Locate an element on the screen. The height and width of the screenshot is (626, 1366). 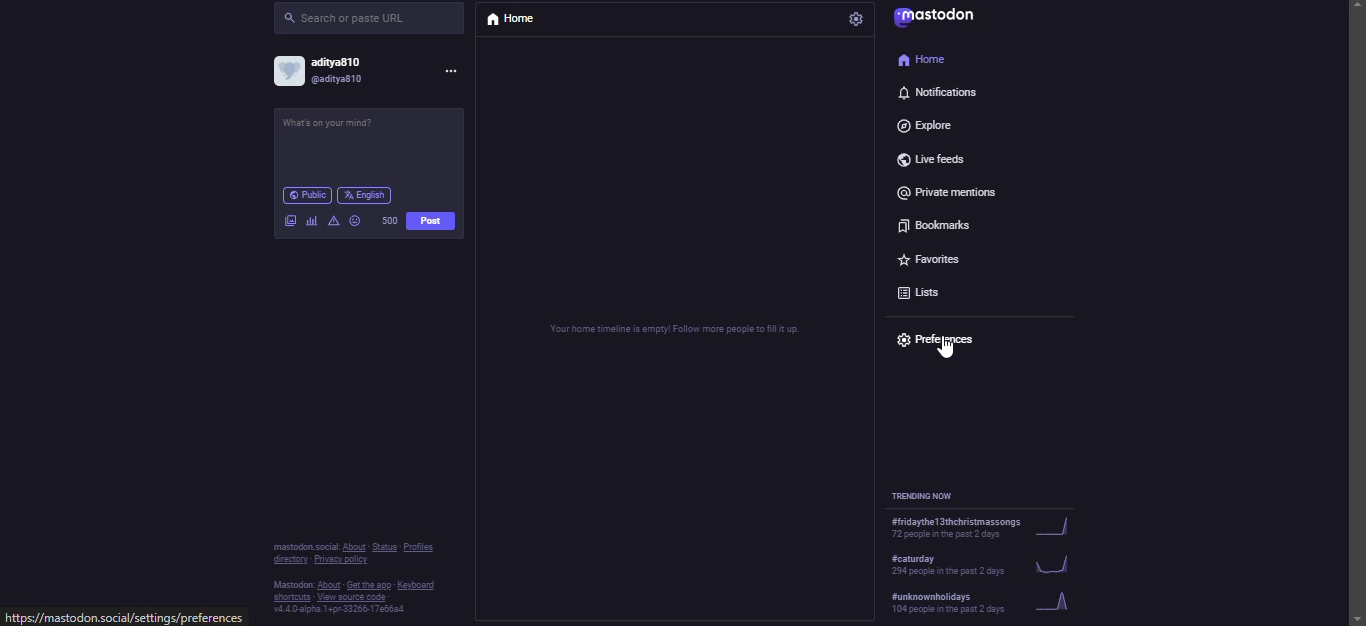
private mentions is located at coordinates (949, 191).